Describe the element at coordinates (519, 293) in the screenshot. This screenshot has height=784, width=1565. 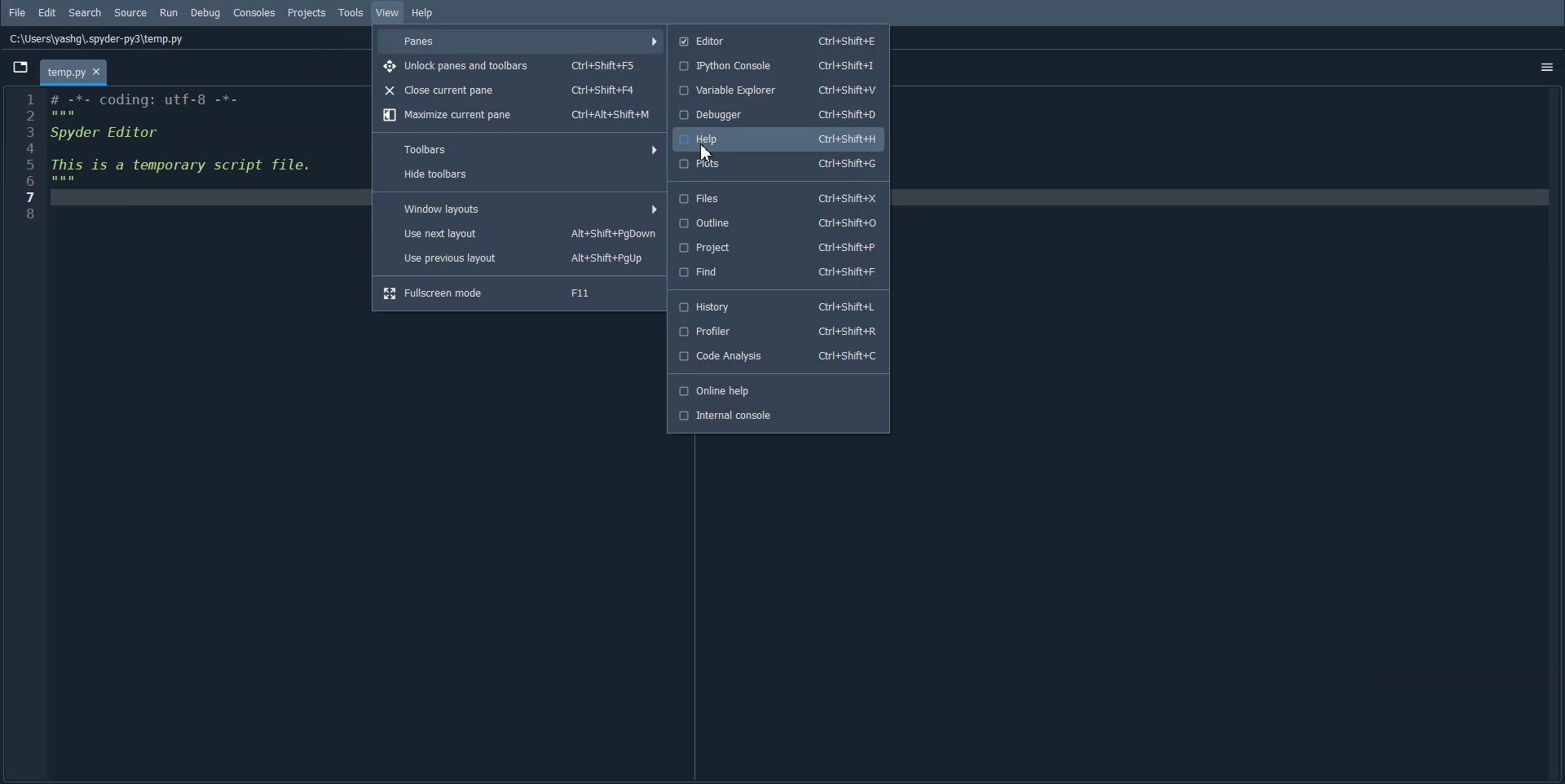
I see `Fullscreen mode` at that location.